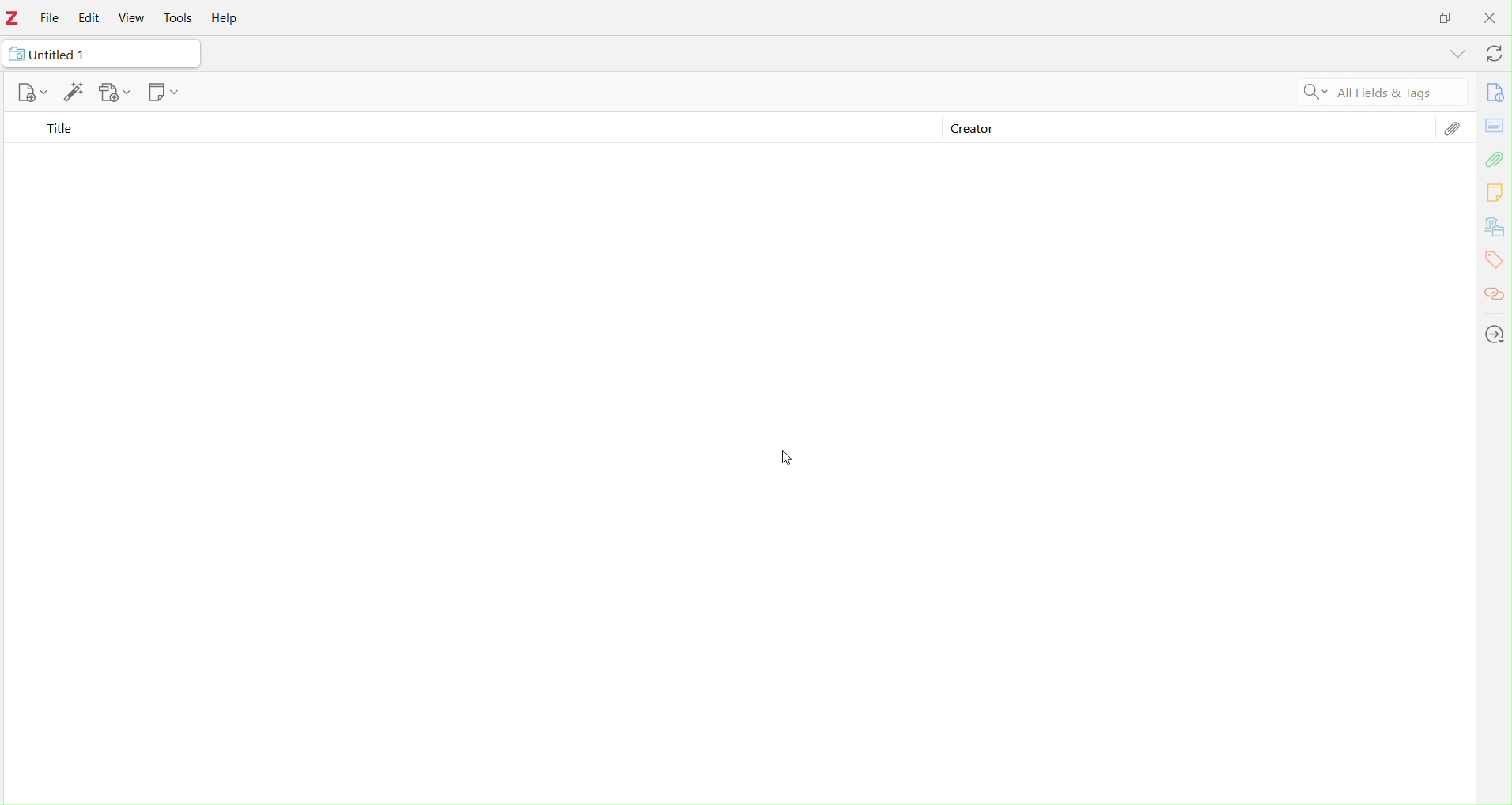  Describe the element at coordinates (229, 20) in the screenshot. I see `Help` at that location.